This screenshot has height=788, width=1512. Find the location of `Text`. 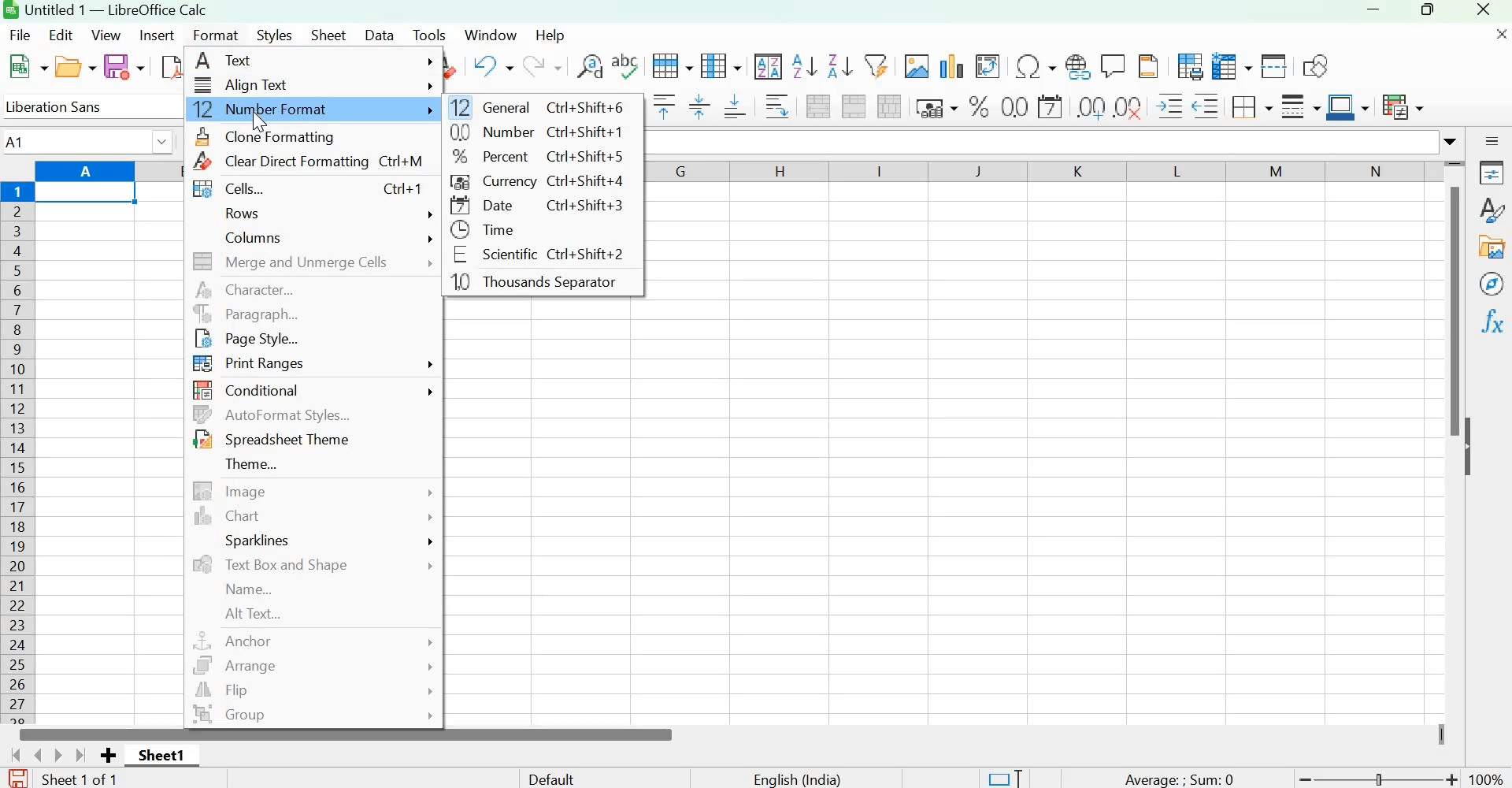

Text is located at coordinates (226, 61).